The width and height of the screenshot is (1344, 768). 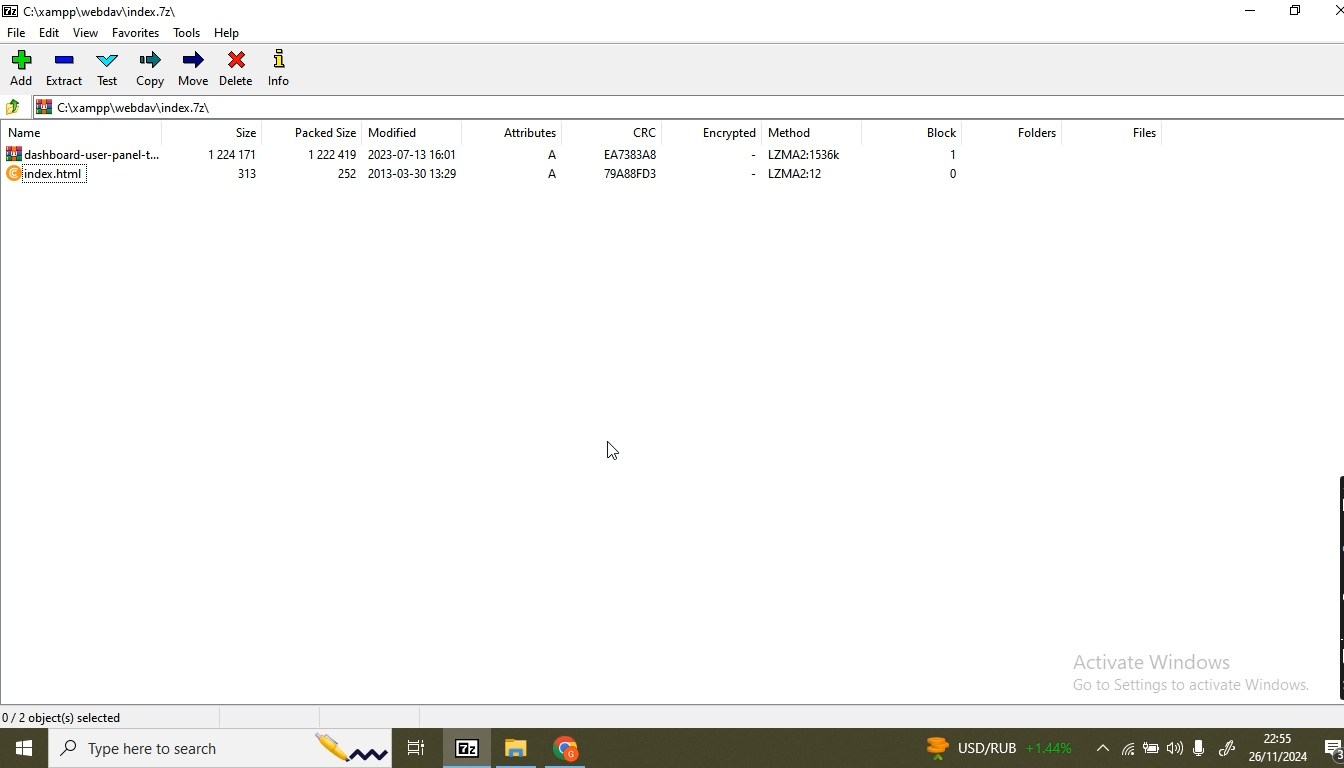 What do you see at coordinates (109, 70) in the screenshot?
I see `test` at bounding box center [109, 70].